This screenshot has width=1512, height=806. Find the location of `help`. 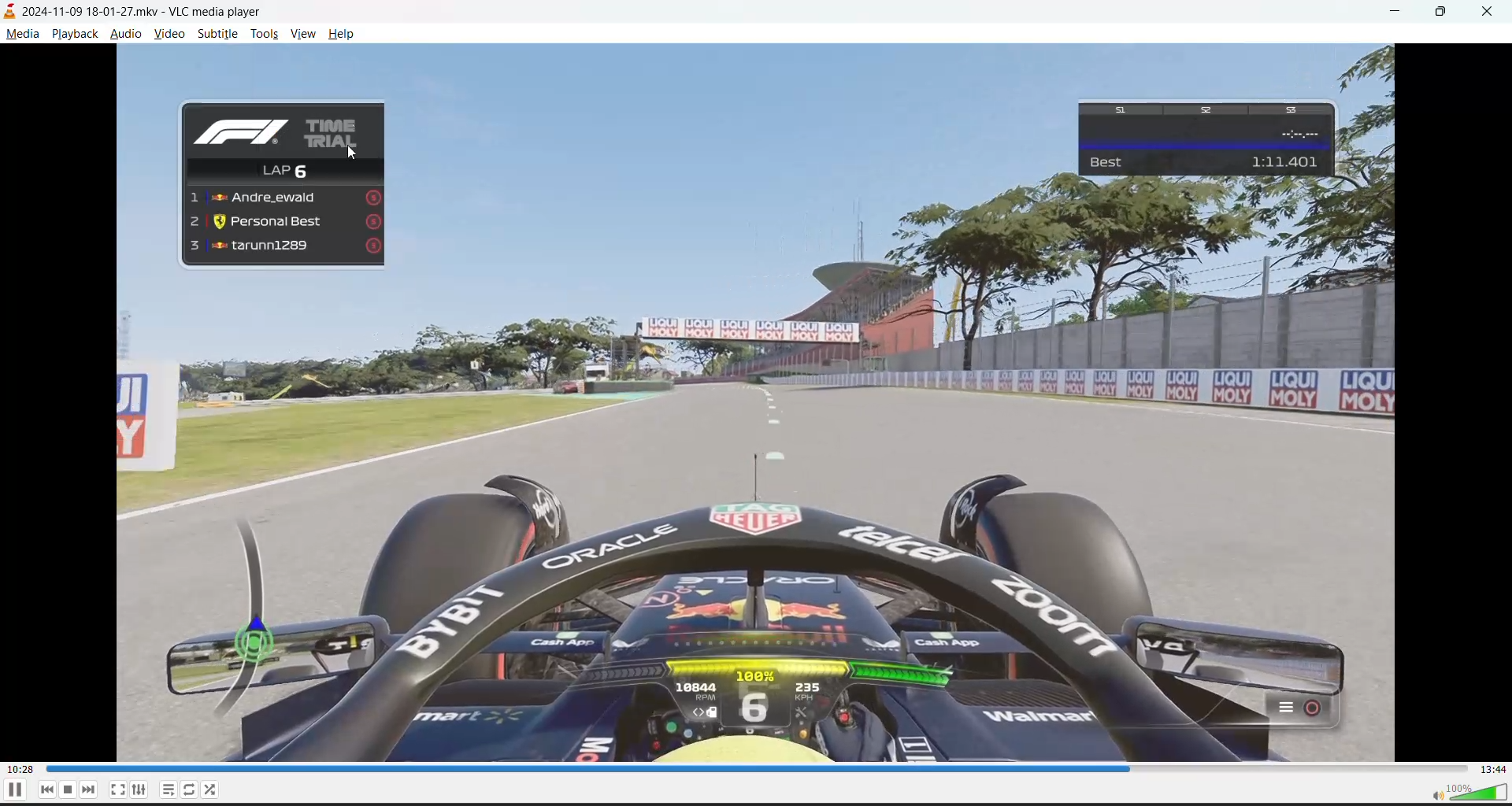

help is located at coordinates (343, 33).